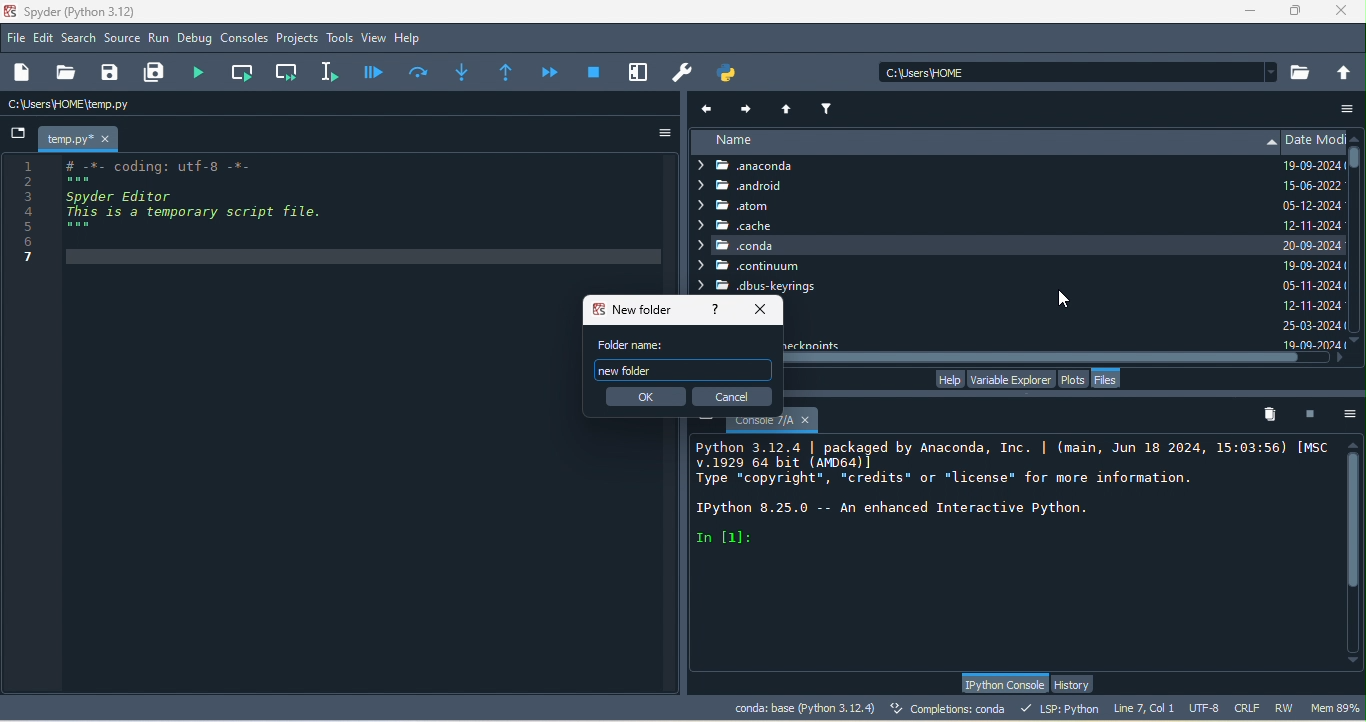  I want to click on console 7/a, so click(771, 424).